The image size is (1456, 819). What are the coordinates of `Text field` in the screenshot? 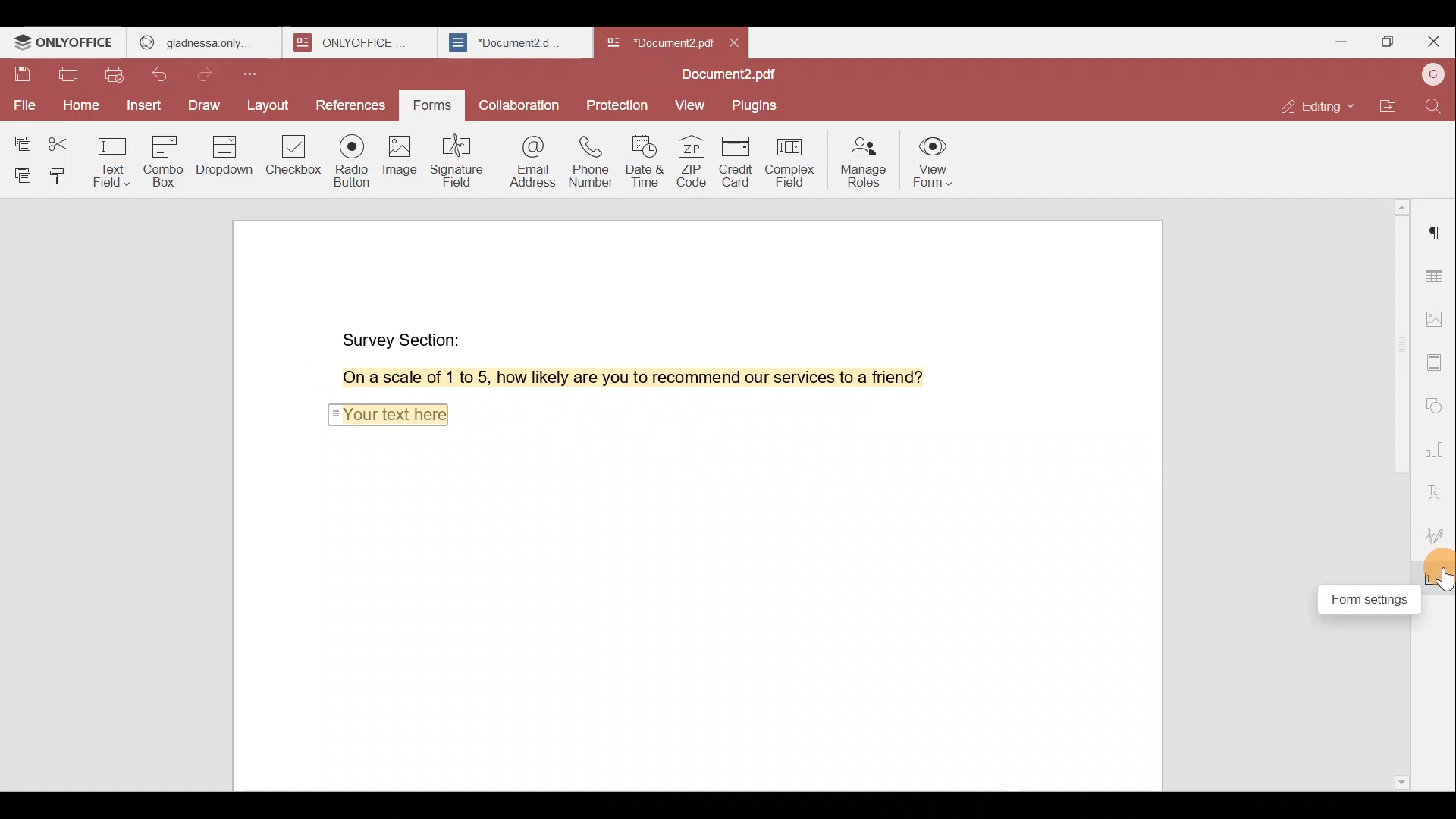 It's located at (114, 158).